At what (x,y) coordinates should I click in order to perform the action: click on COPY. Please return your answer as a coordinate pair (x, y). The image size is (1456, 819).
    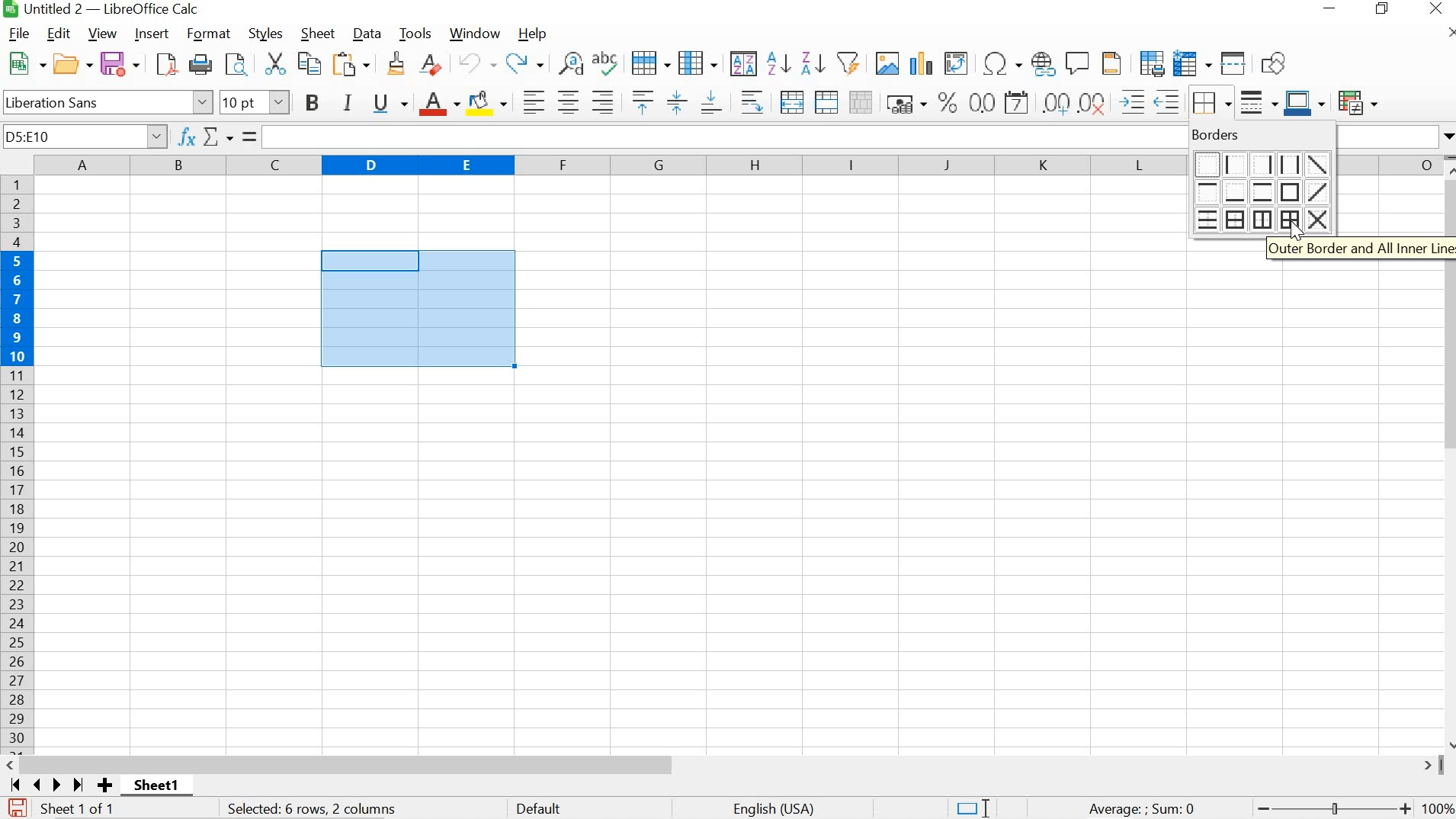
    Looking at the image, I should click on (311, 62).